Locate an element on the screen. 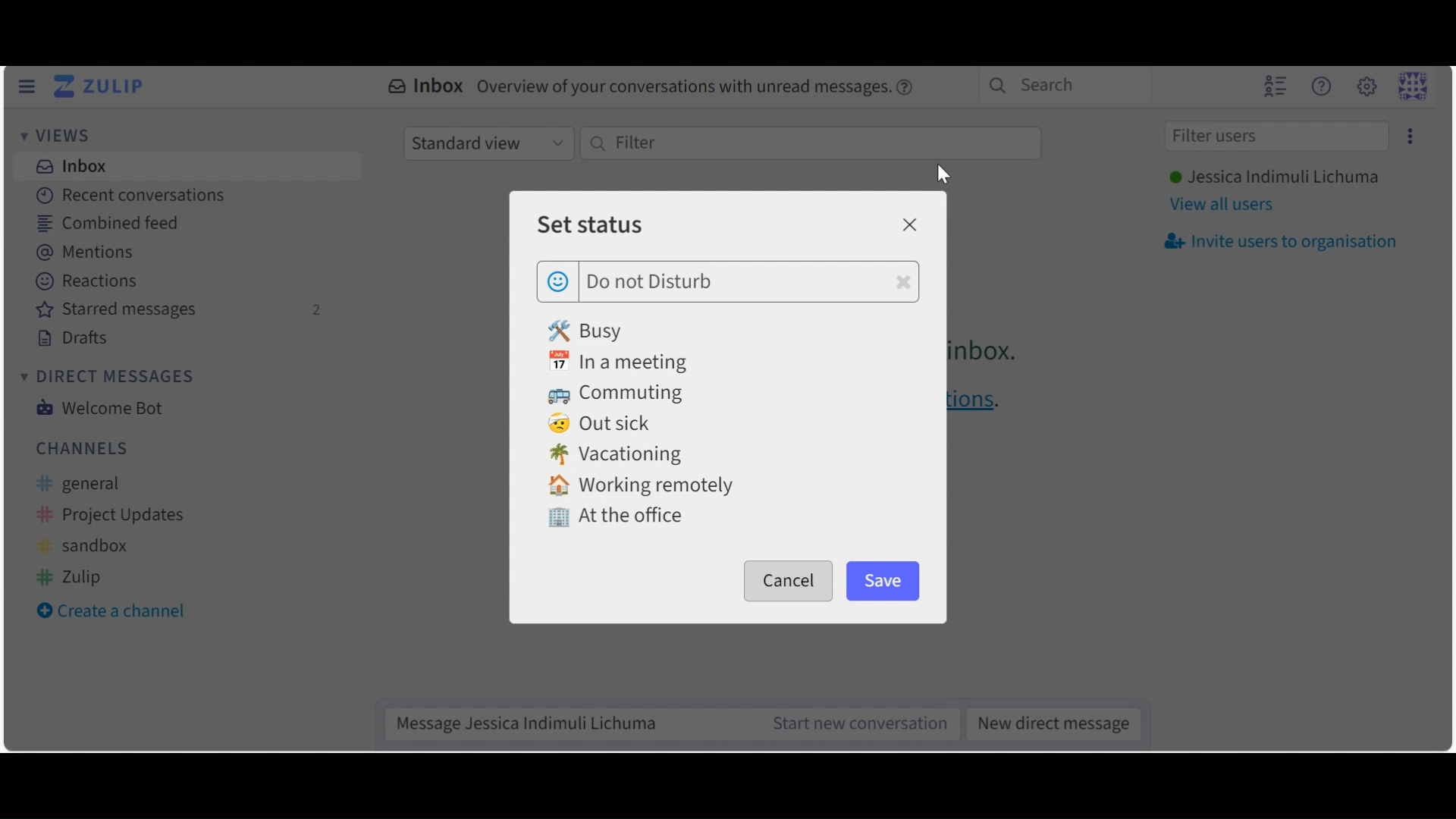 Image resolution: width=1456 pixels, height=819 pixels. Select emoji is located at coordinates (558, 279).